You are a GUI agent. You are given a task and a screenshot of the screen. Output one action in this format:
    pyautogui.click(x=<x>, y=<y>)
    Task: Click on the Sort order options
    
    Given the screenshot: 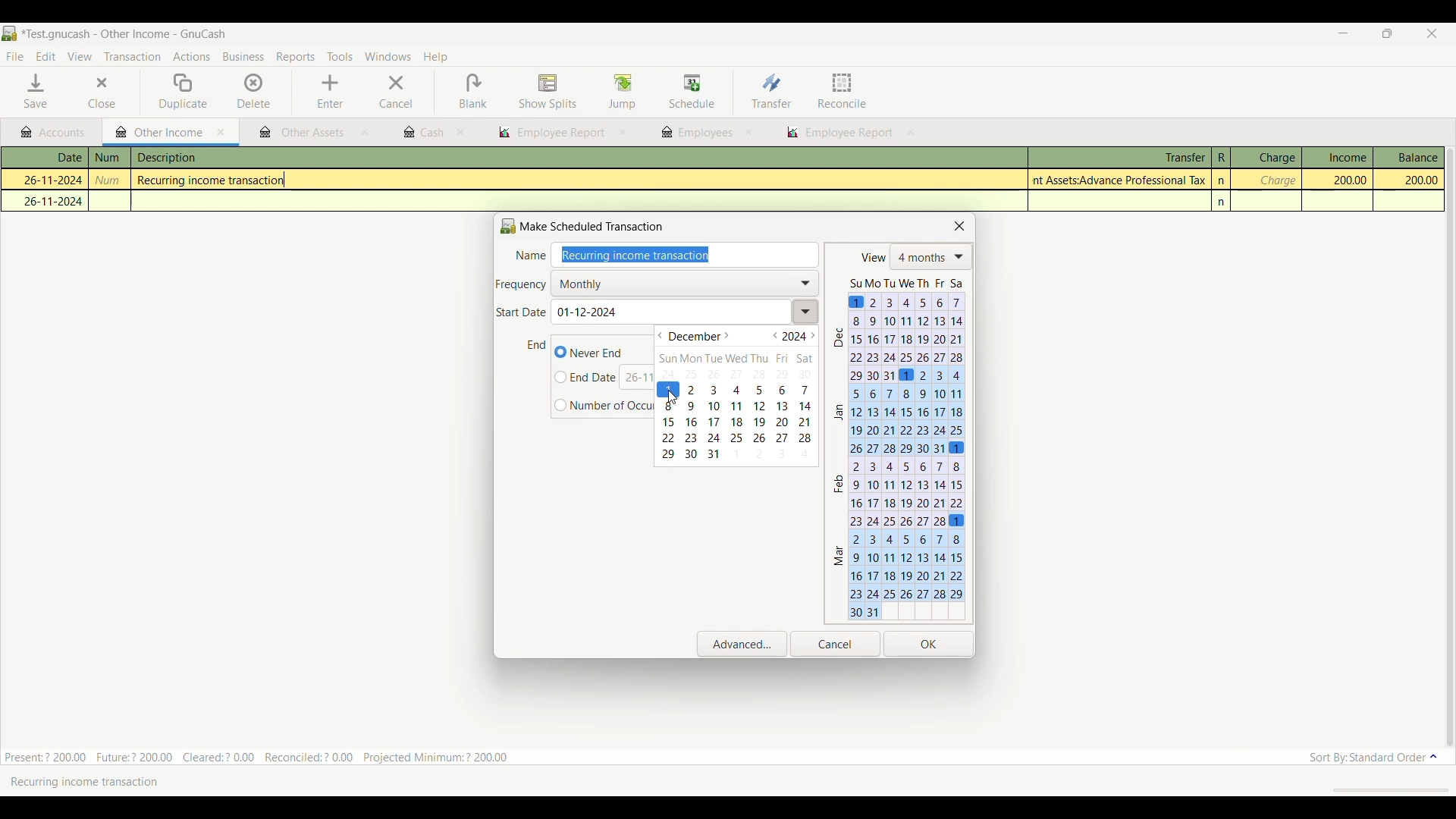 What is the action you would take?
    pyautogui.click(x=1373, y=758)
    